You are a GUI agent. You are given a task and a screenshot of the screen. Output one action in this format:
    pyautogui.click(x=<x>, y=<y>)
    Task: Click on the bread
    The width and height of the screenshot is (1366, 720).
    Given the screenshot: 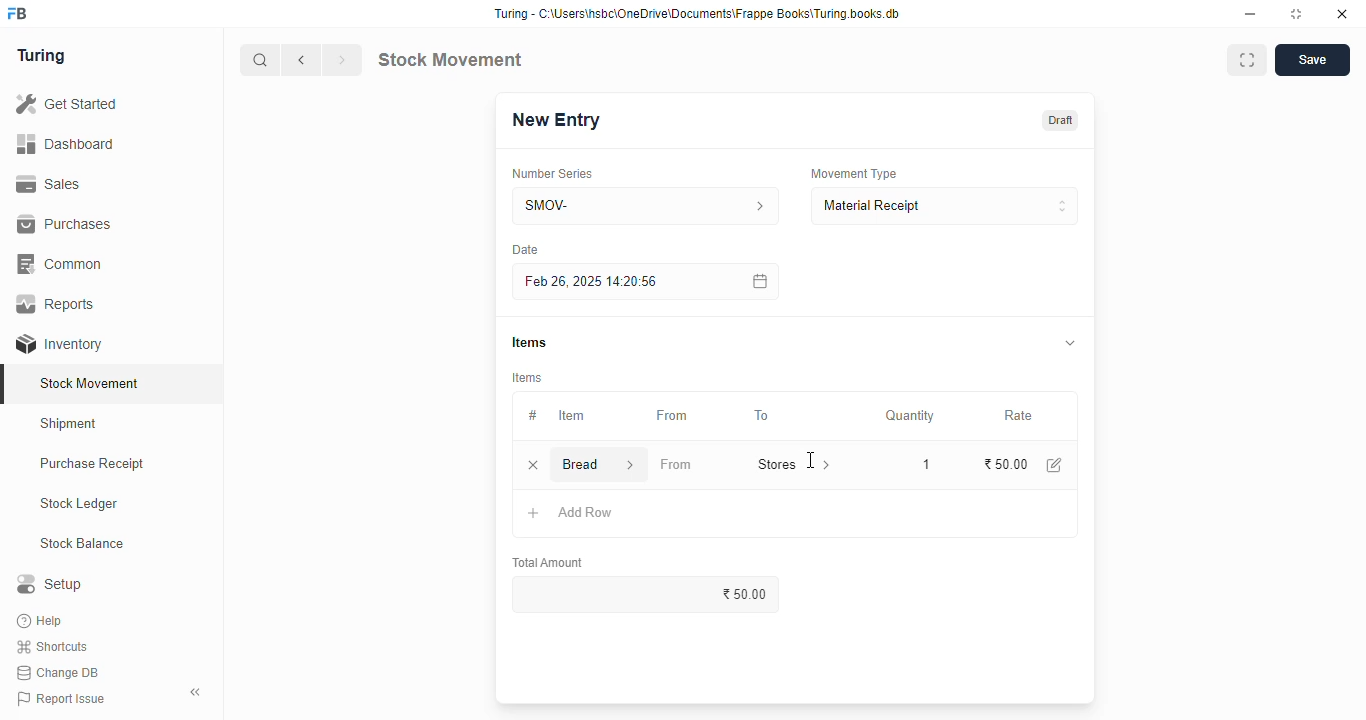 What is the action you would take?
    pyautogui.click(x=583, y=463)
    